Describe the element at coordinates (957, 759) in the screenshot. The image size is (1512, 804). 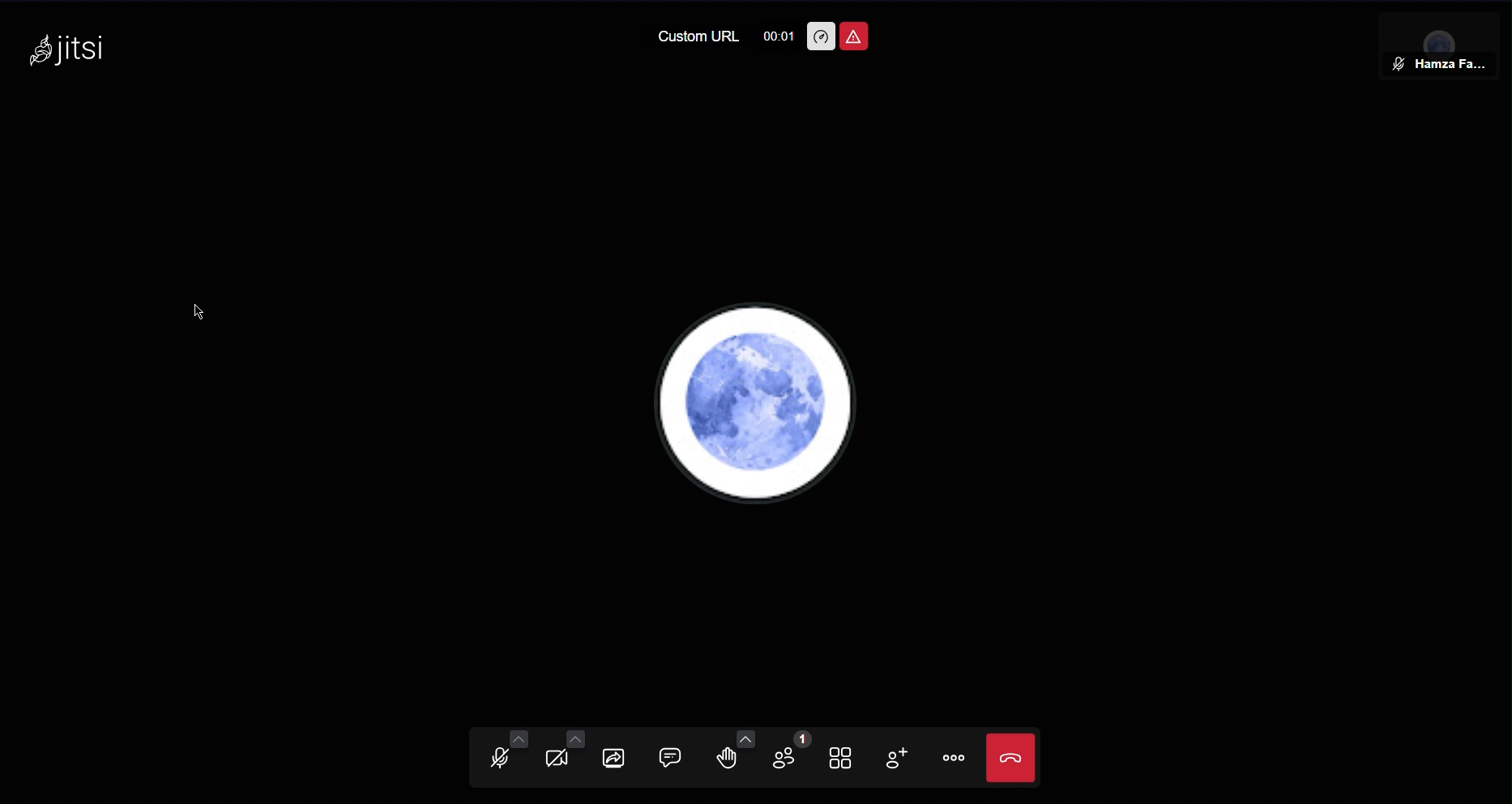
I see `More` at that location.